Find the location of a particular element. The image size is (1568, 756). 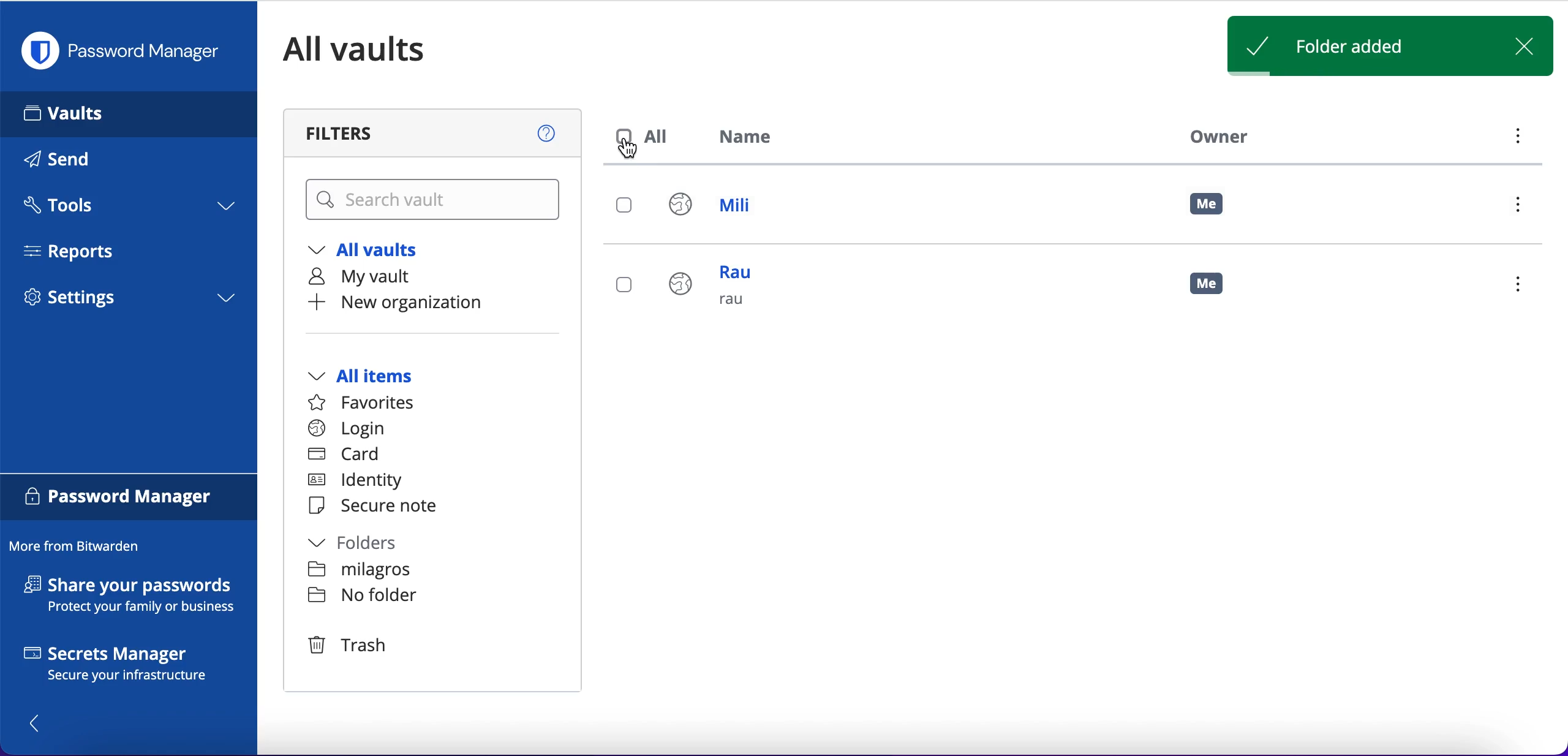

all vaults is located at coordinates (372, 49).